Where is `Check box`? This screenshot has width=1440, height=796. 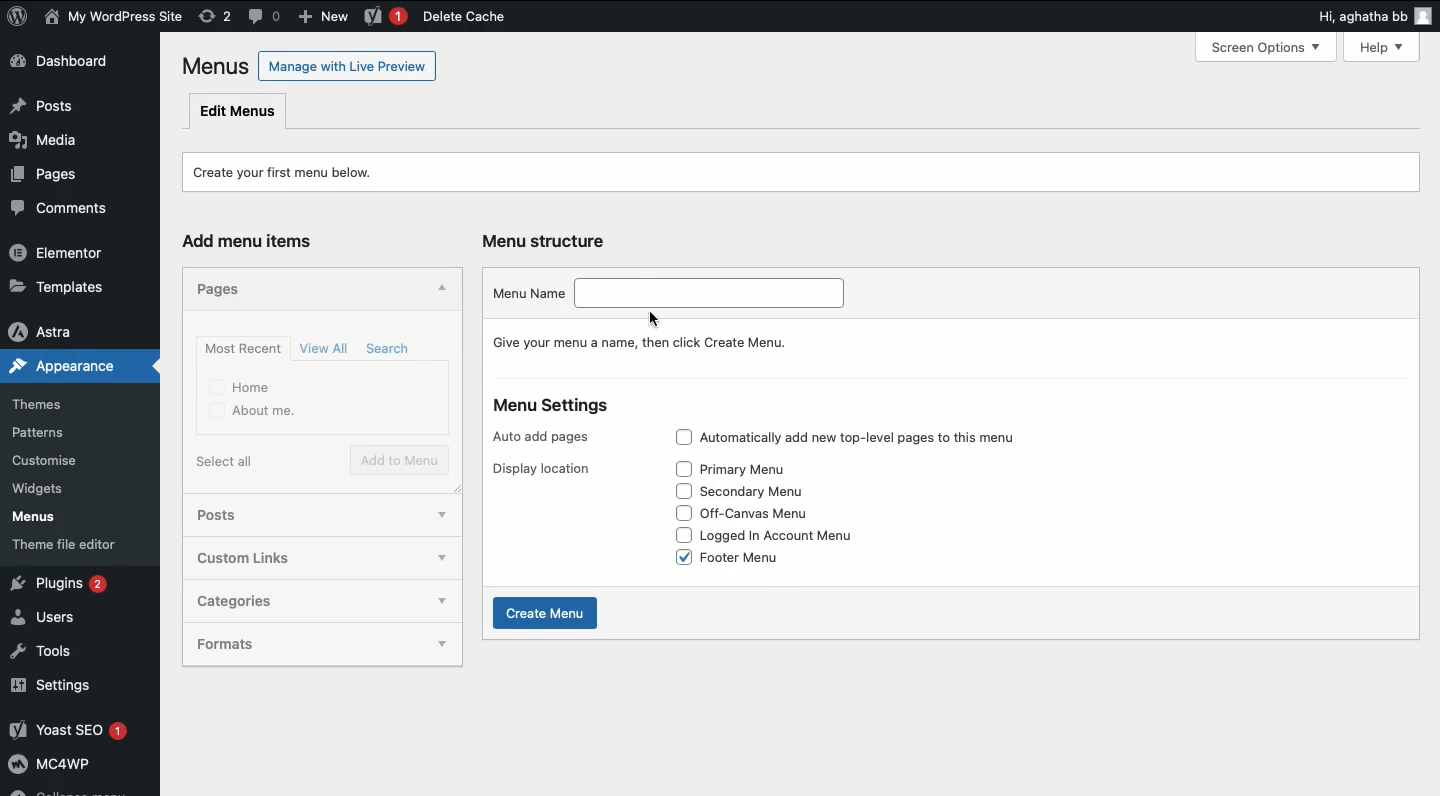
Check box is located at coordinates (682, 438).